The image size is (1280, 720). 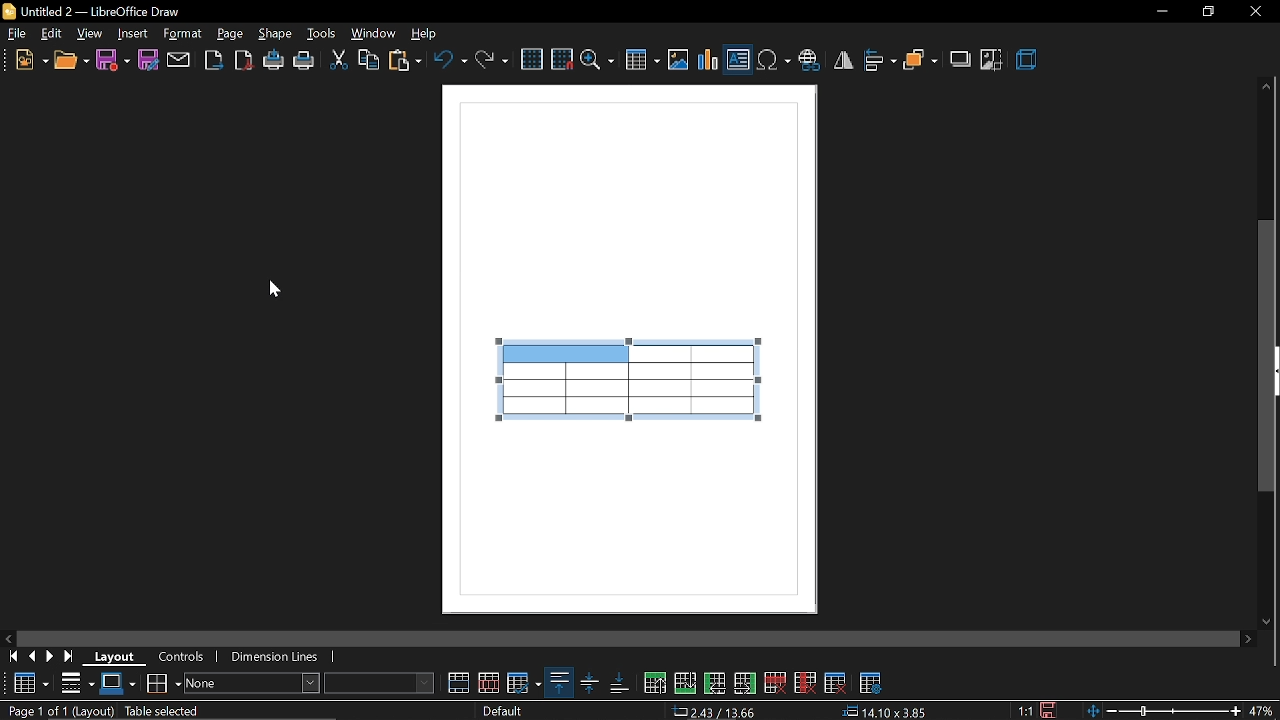 I want to click on align bottom, so click(x=620, y=682).